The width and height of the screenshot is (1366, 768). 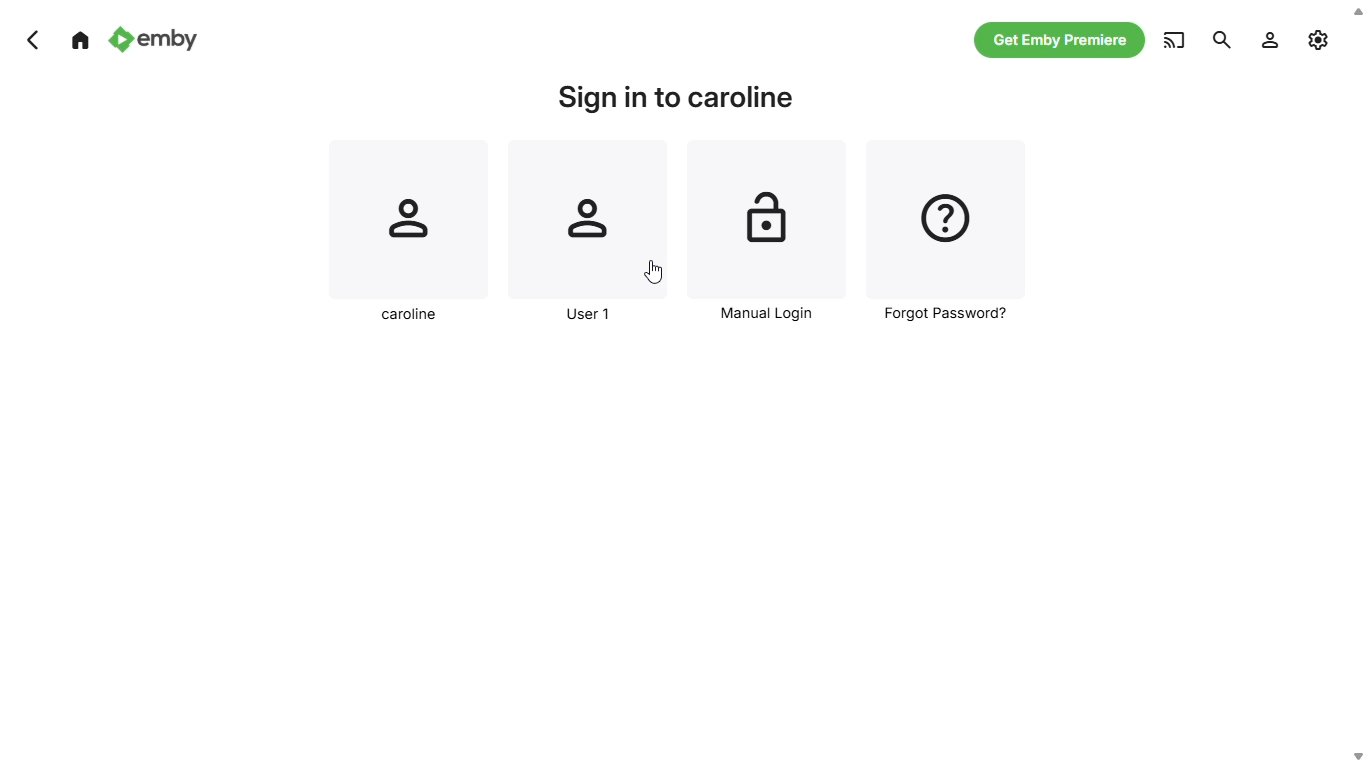 I want to click on cursor, so click(x=654, y=272).